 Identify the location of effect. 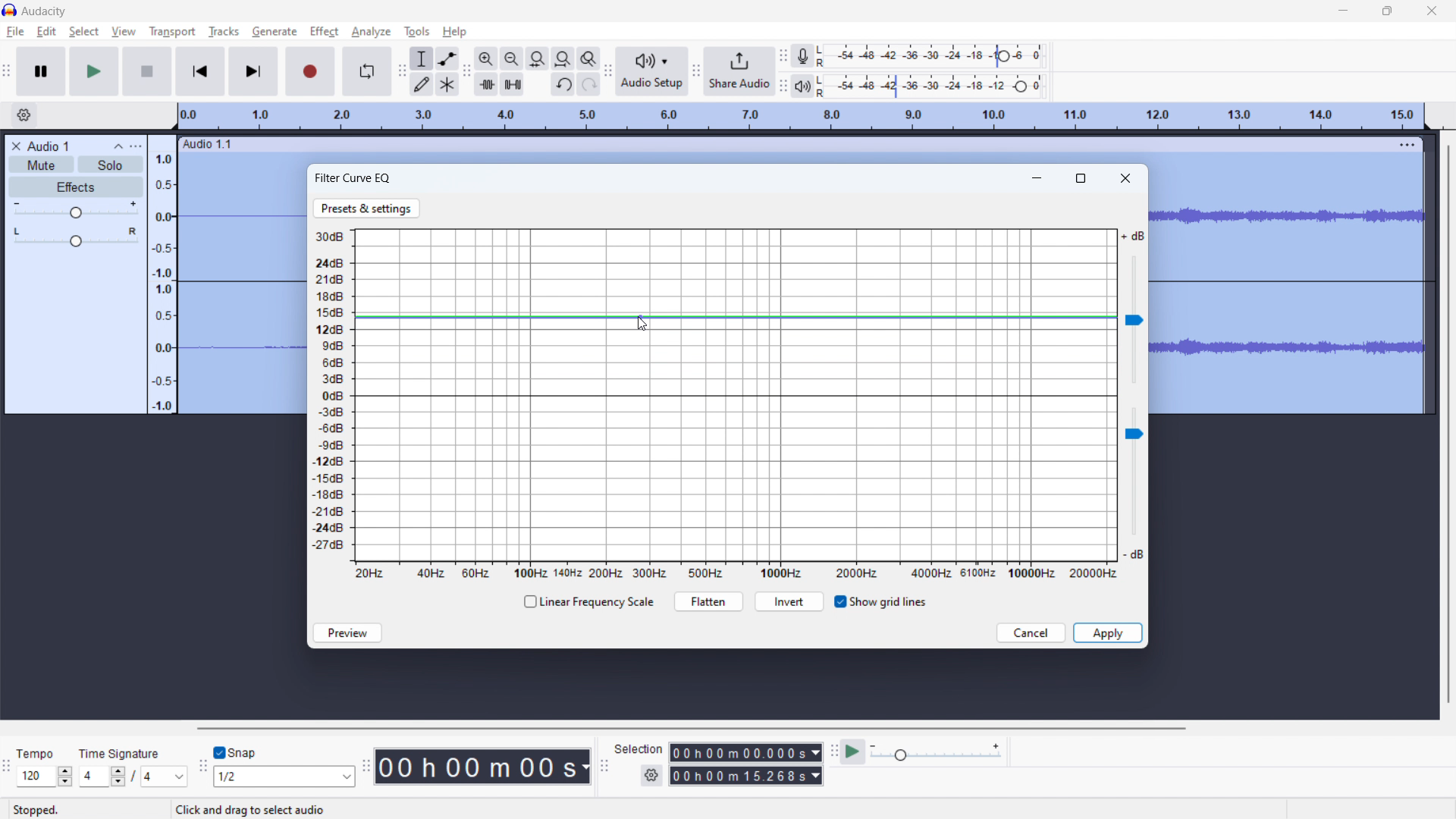
(324, 32).